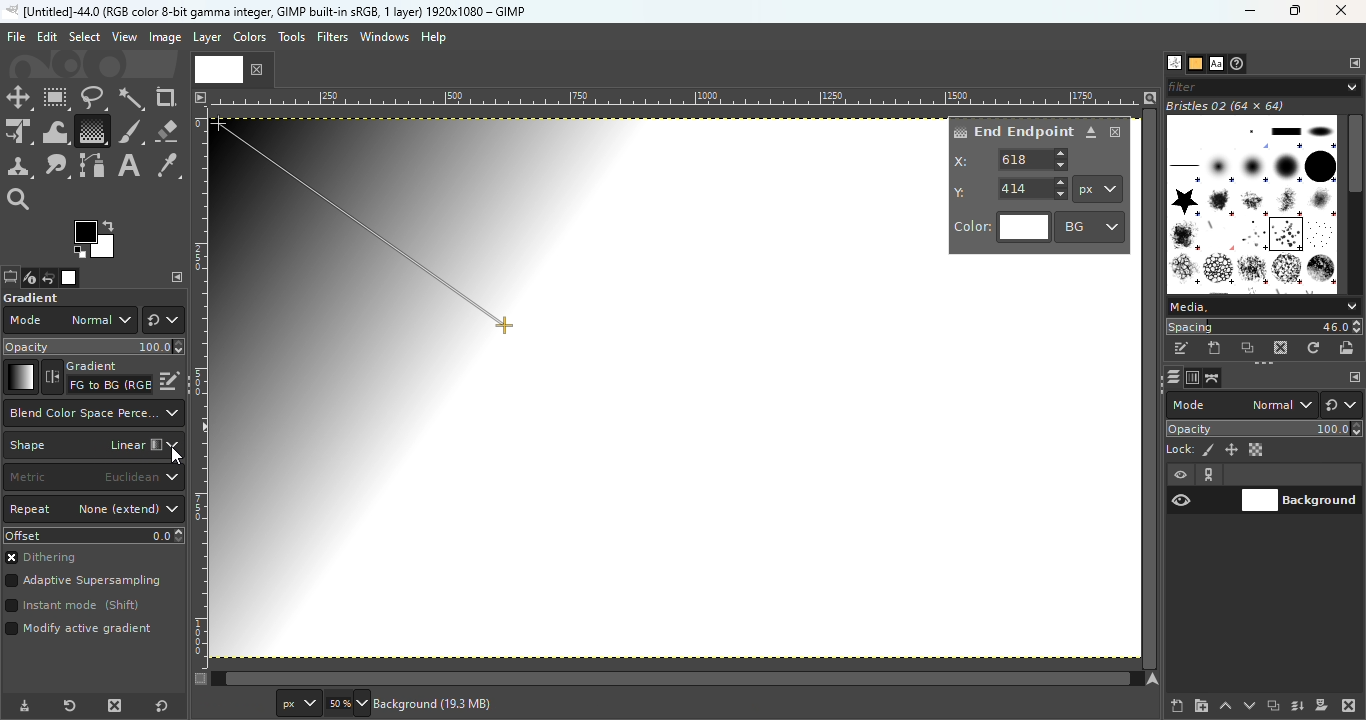 This screenshot has width=1366, height=720. What do you see at coordinates (1190, 448) in the screenshot?
I see `Lock pixels` at bounding box center [1190, 448].